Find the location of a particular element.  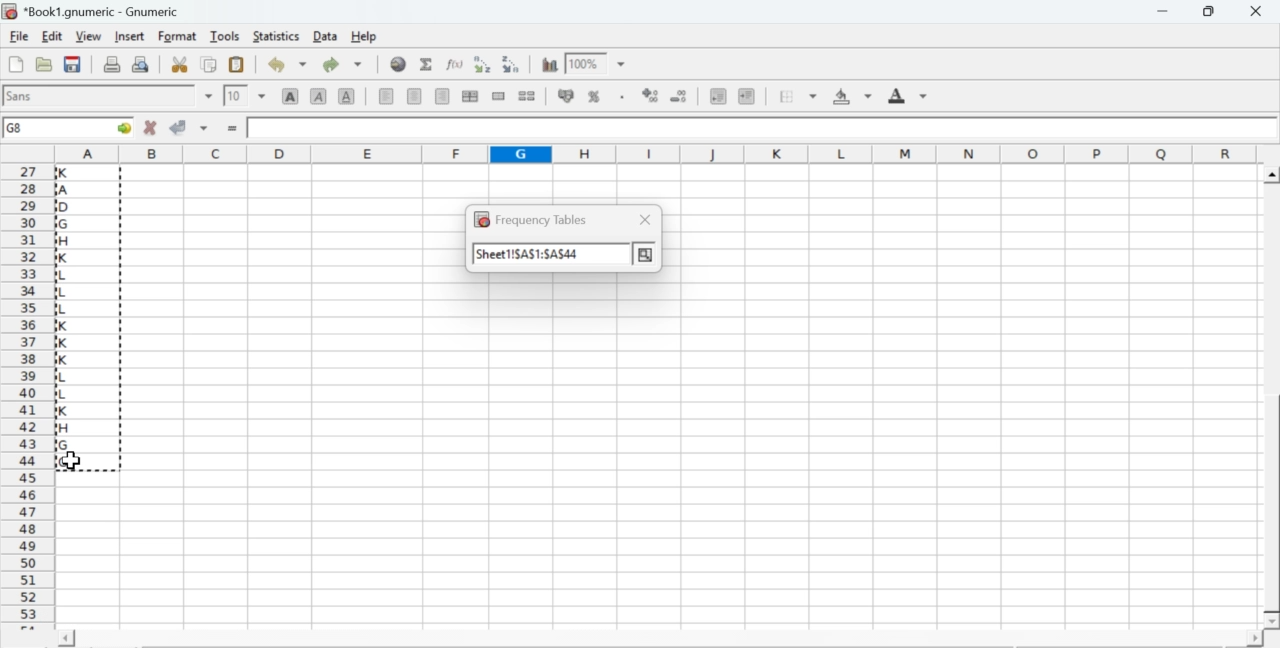

minimize is located at coordinates (1164, 11).